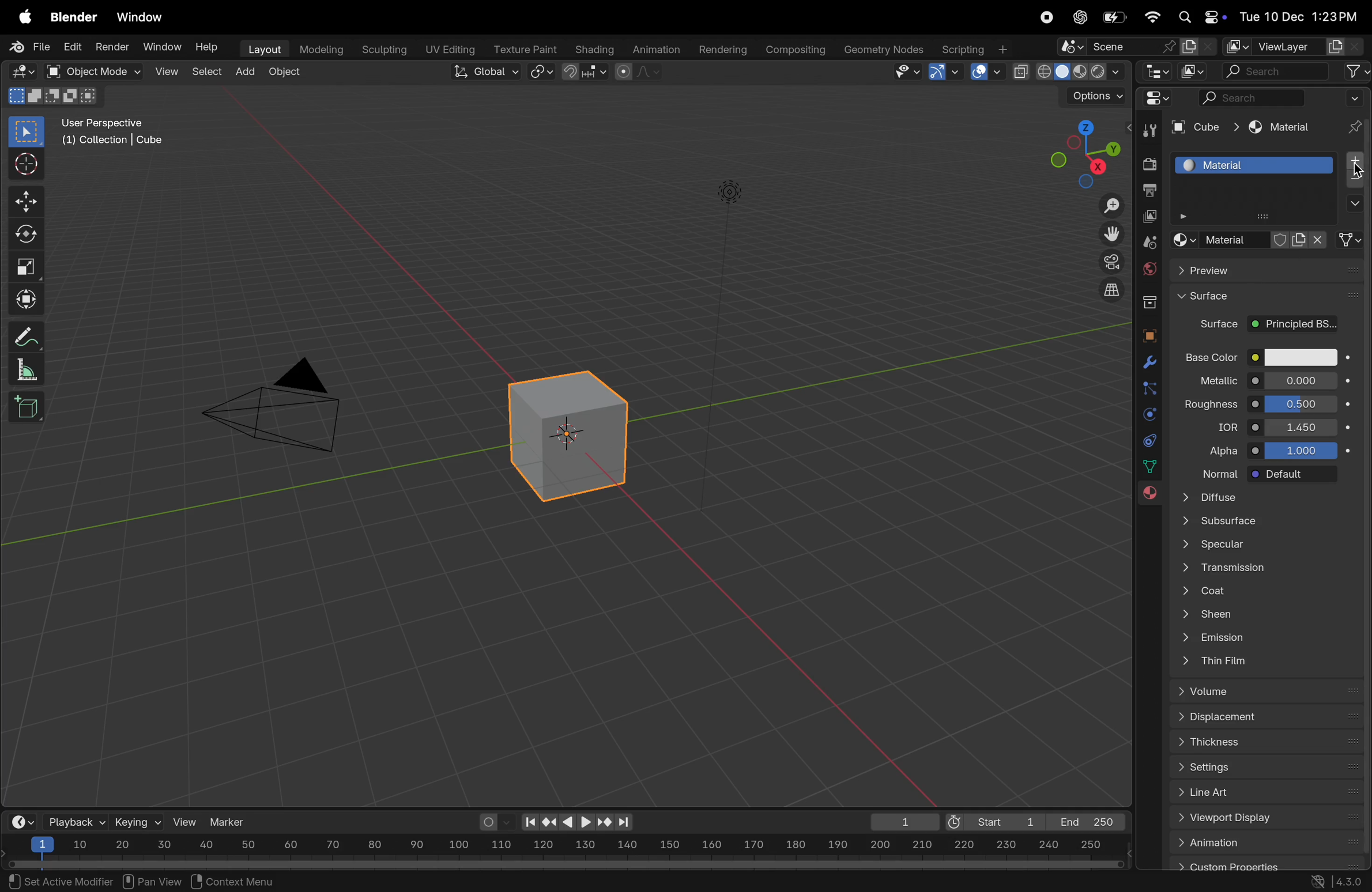 This screenshot has width=1372, height=892. Describe the element at coordinates (26, 407) in the screenshot. I see `3D cube` at that location.